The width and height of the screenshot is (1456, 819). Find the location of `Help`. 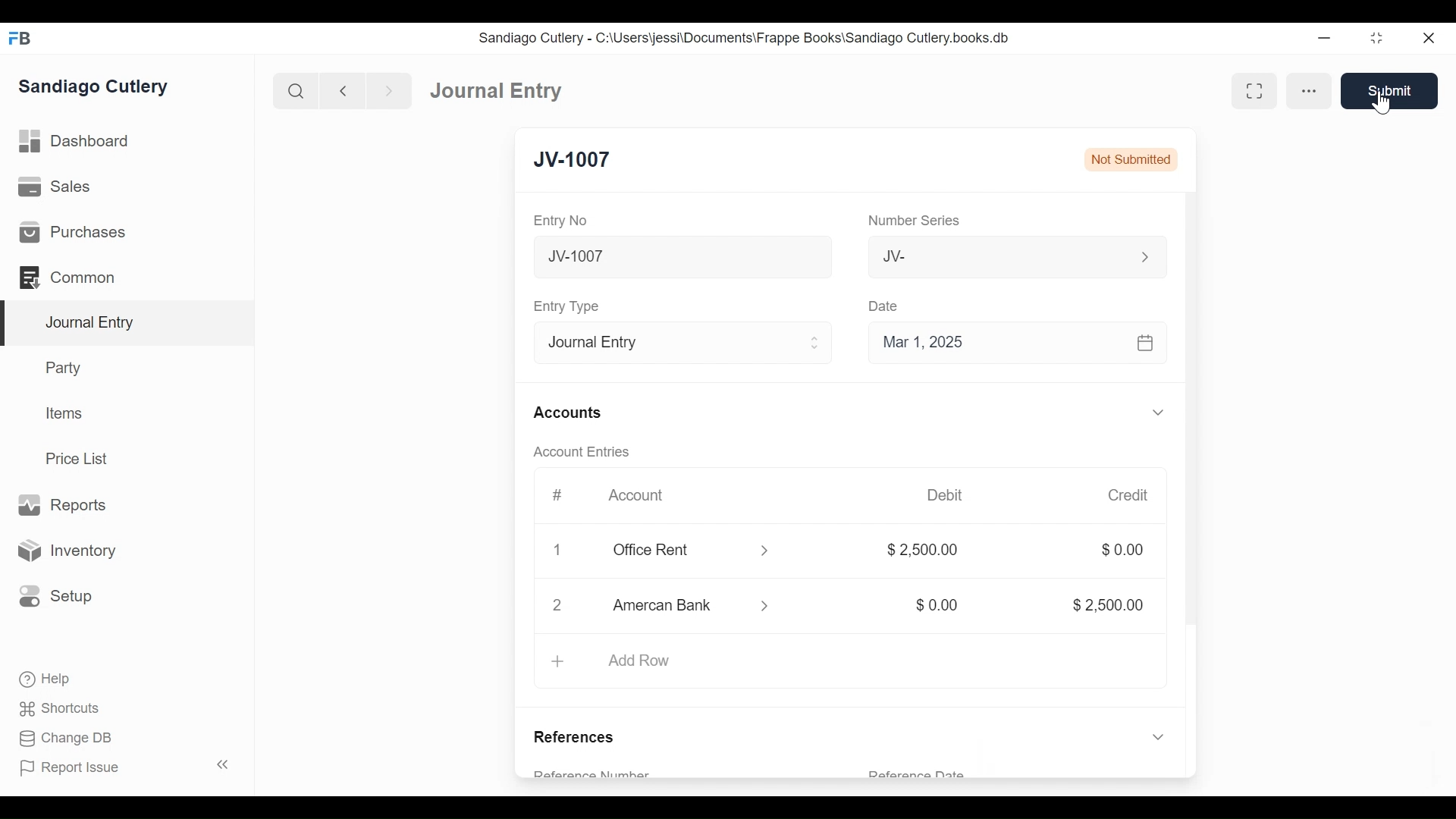

Help is located at coordinates (38, 680).